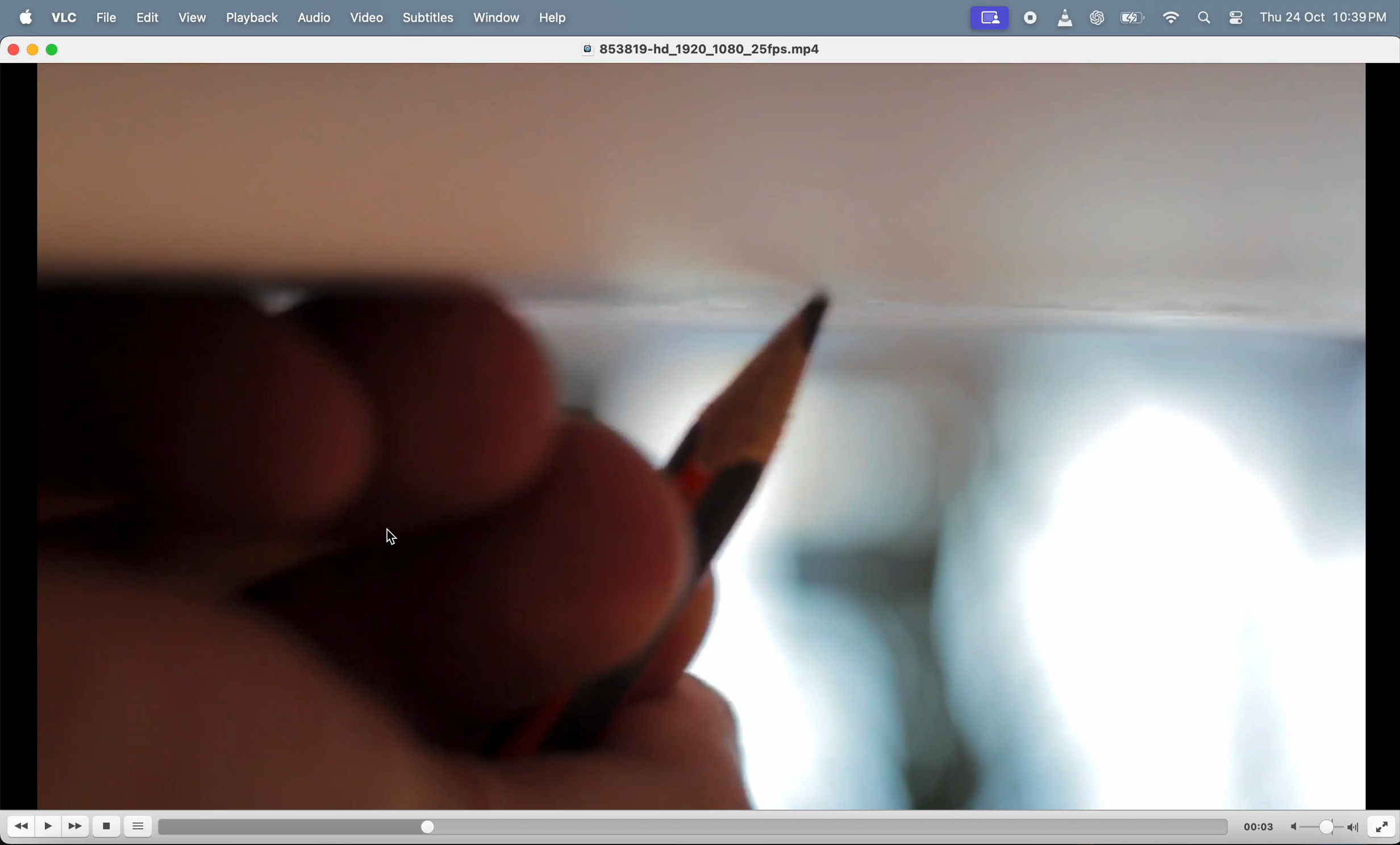 Image resolution: width=1400 pixels, height=845 pixels. I want to click on help, so click(556, 19).